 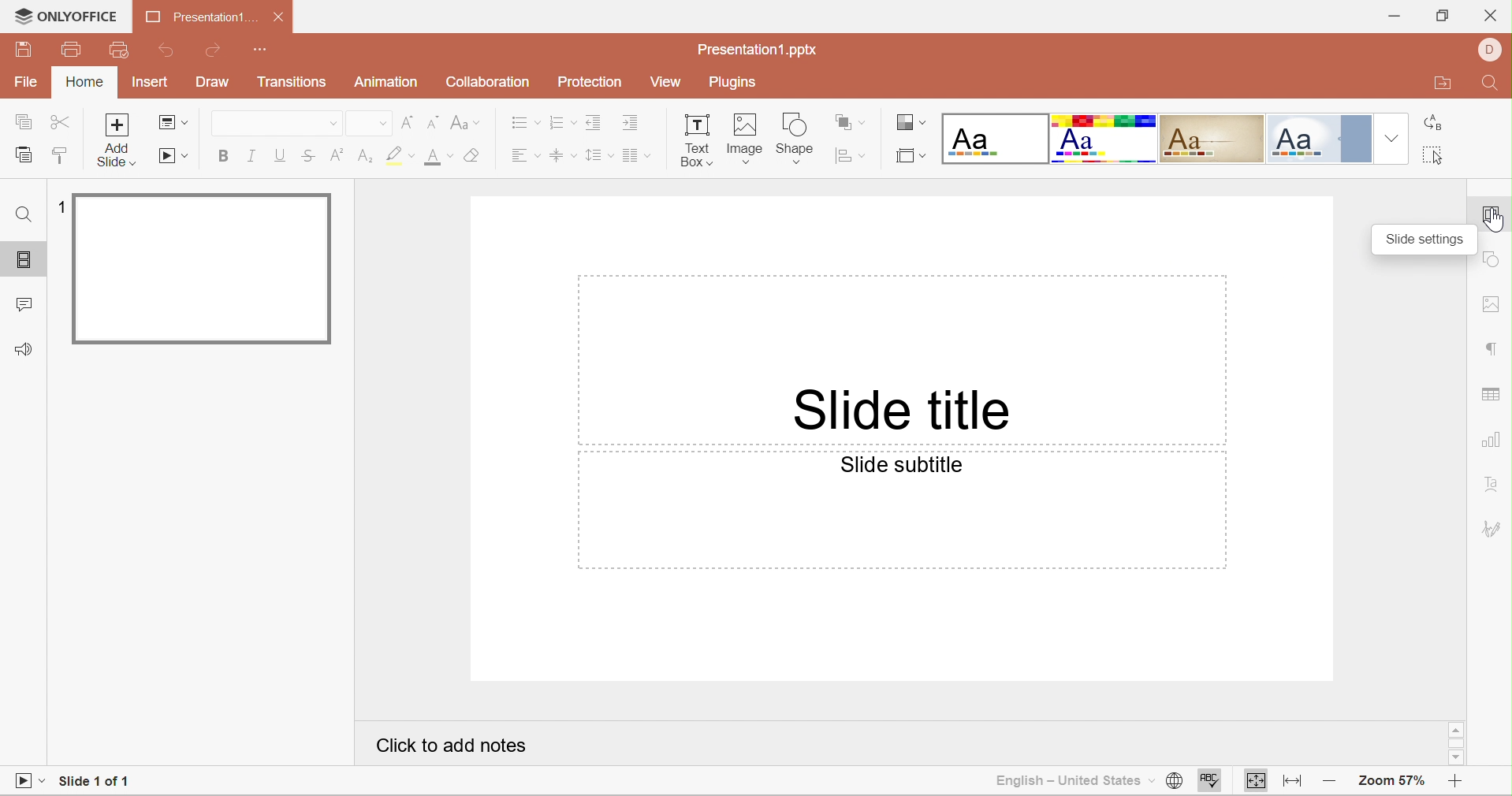 What do you see at coordinates (525, 157) in the screenshot?
I see `Horizontal Align` at bounding box center [525, 157].